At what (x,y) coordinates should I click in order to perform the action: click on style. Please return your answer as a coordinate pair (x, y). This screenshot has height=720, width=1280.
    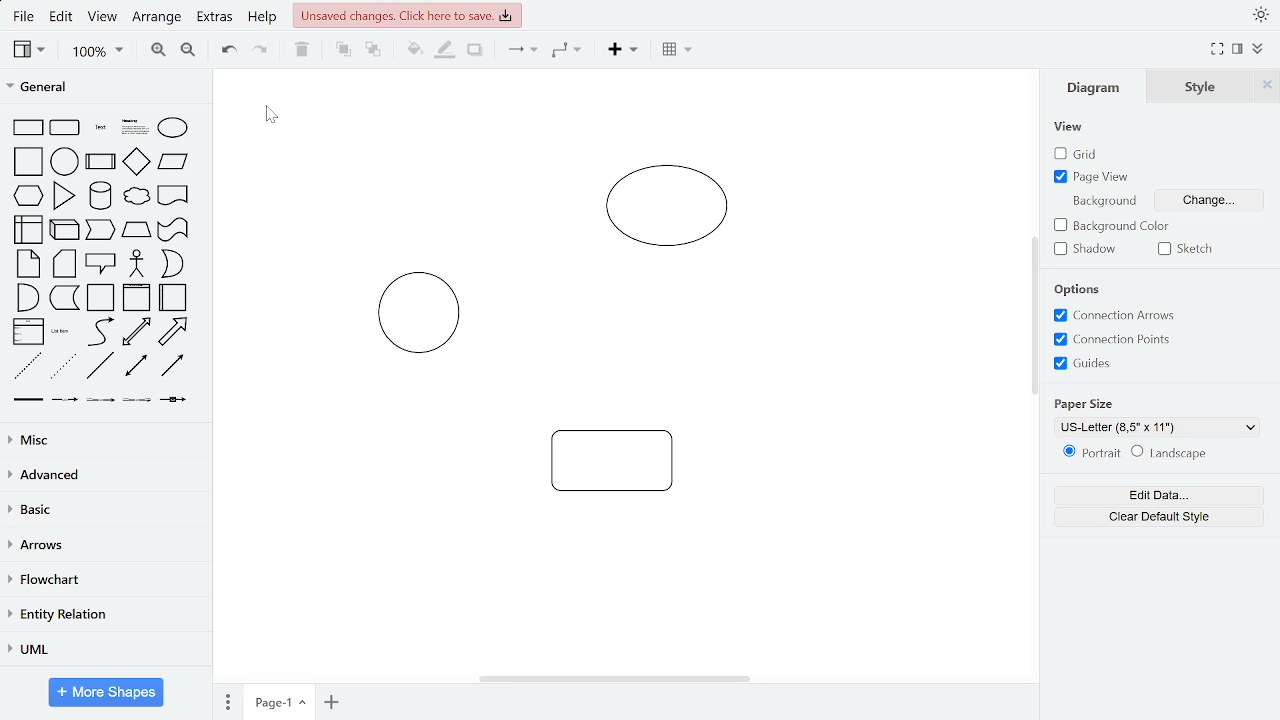
    Looking at the image, I should click on (1205, 86).